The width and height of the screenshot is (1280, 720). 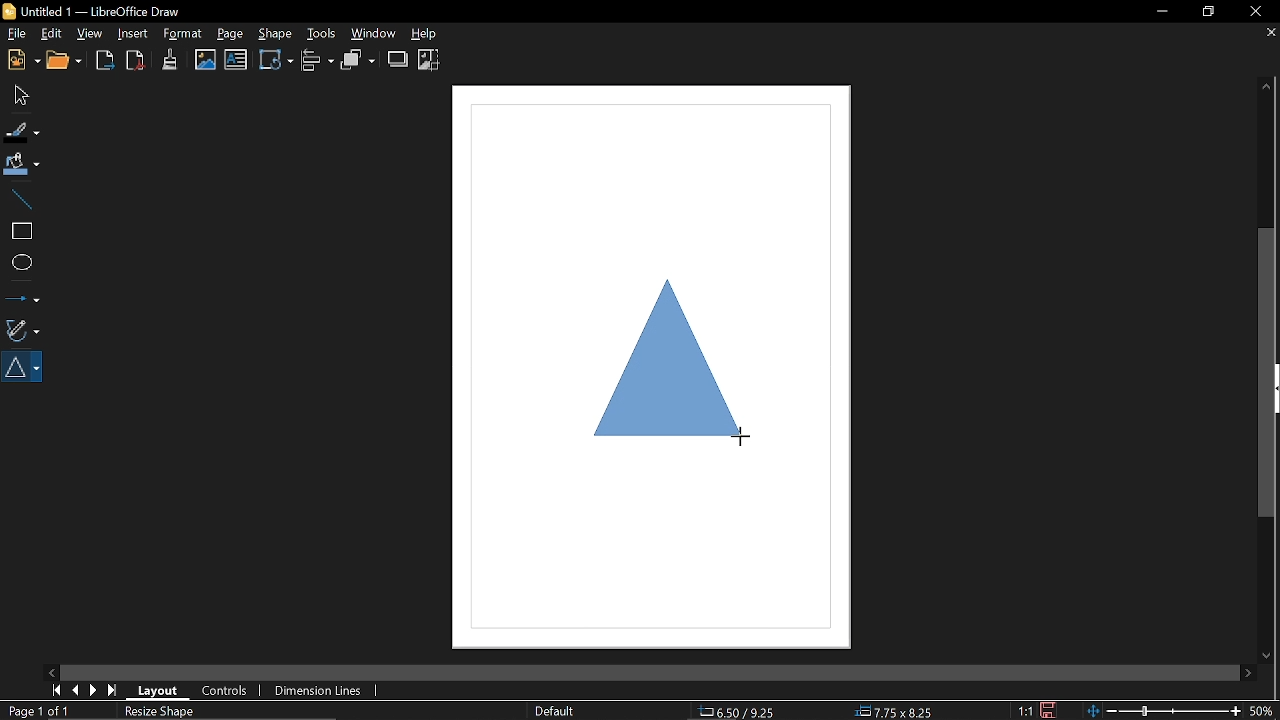 What do you see at coordinates (22, 295) in the screenshot?
I see `Lines and arrows` at bounding box center [22, 295].